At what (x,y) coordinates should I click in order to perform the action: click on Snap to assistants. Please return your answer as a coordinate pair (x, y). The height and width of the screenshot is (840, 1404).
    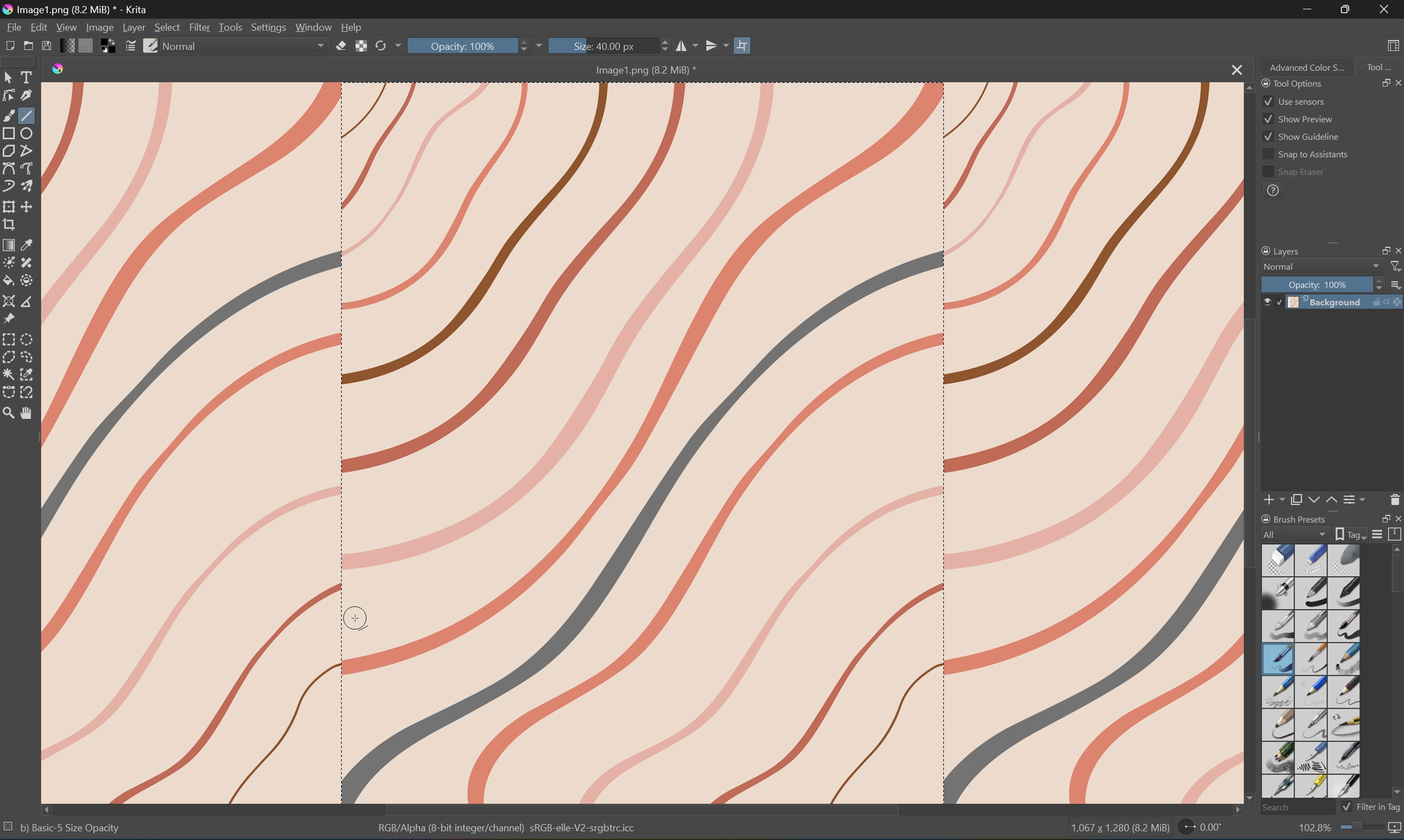
    Looking at the image, I should click on (1304, 155).